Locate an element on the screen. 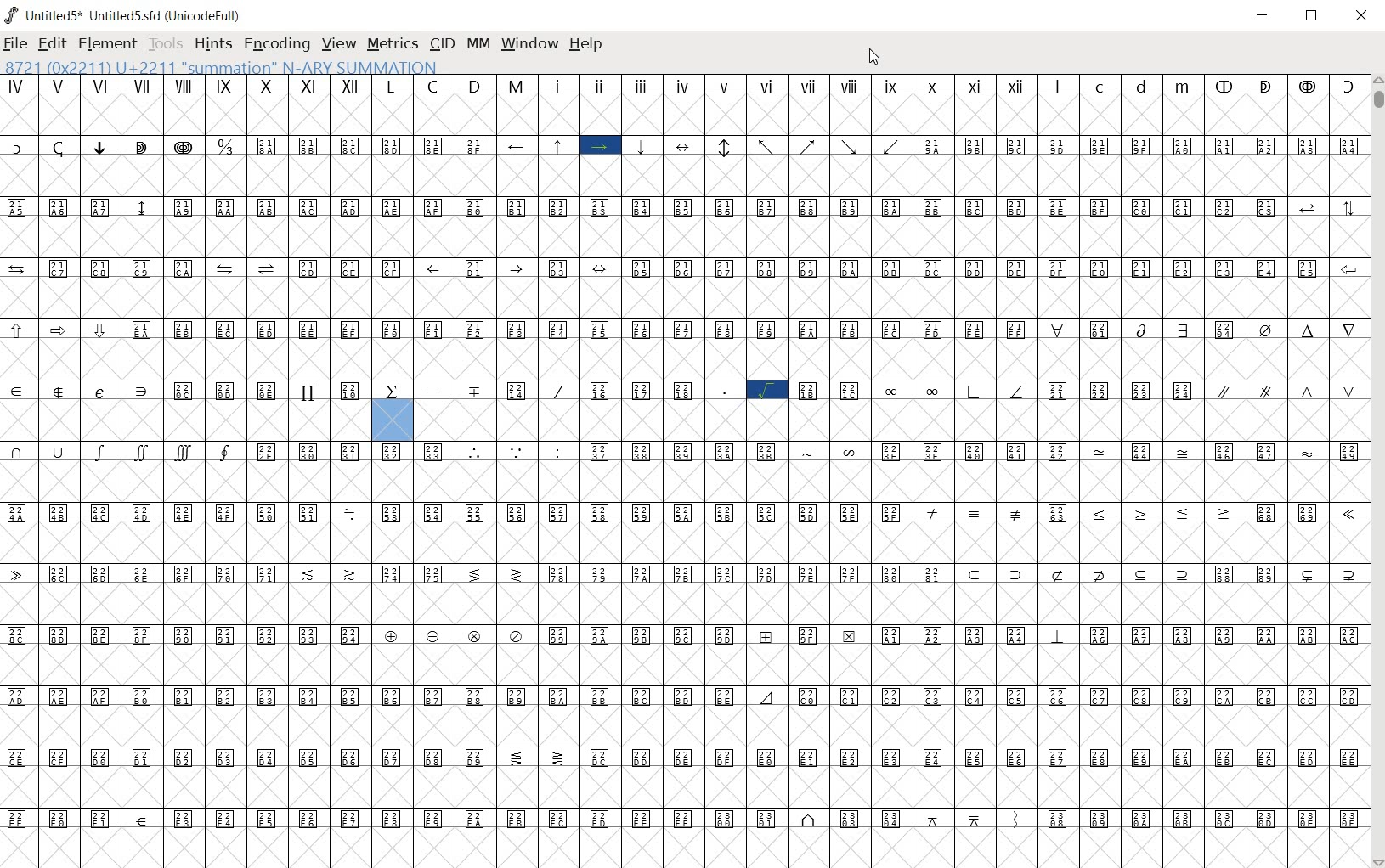 The height and width of the screenshot is (868, 1385). TOOLS is located at coordinates (164, 42).